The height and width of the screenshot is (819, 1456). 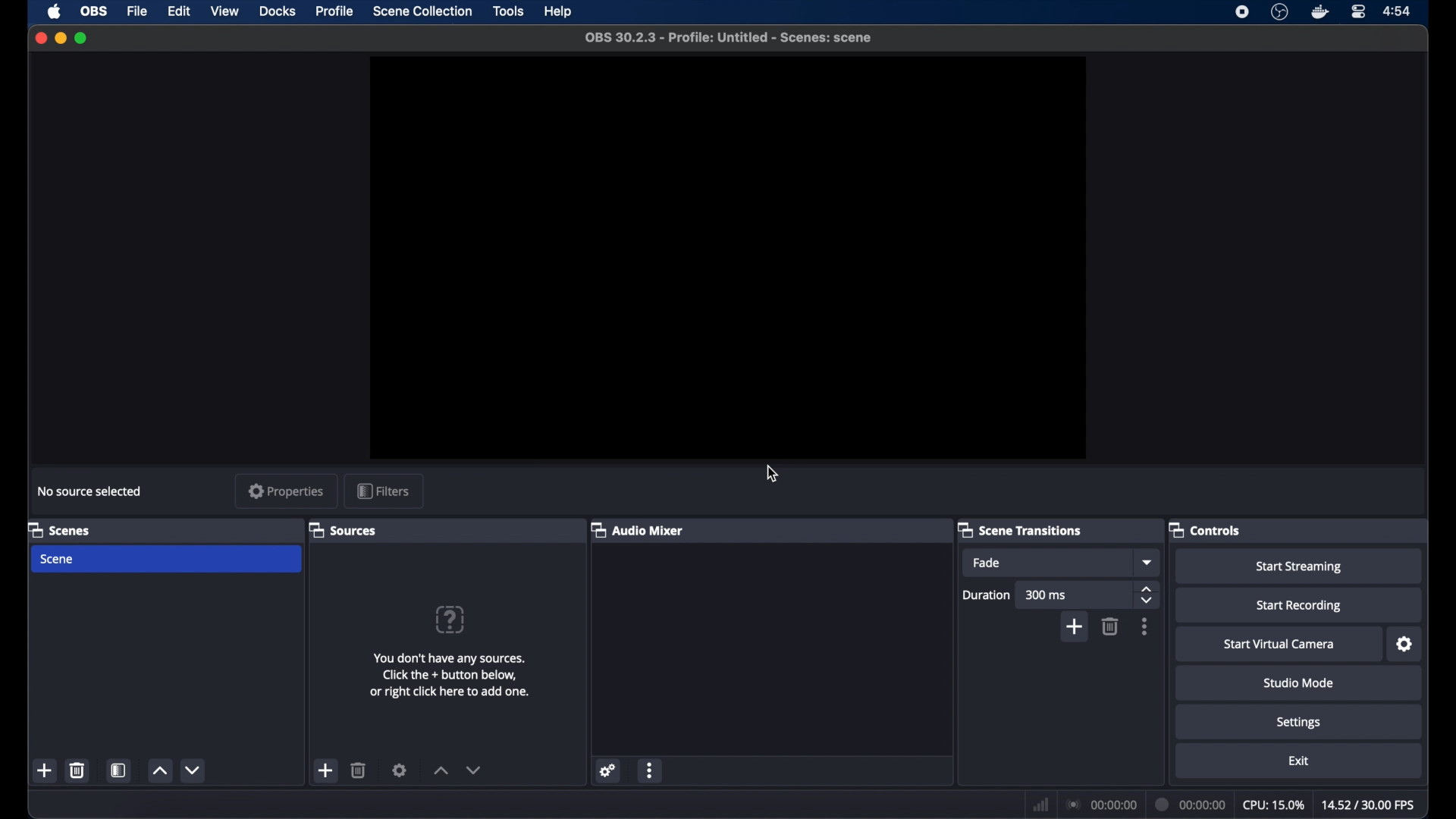 What do you see at coordinates (86, 39) in the screenshot?
I see `maximize` at bounding box center [86, 39].